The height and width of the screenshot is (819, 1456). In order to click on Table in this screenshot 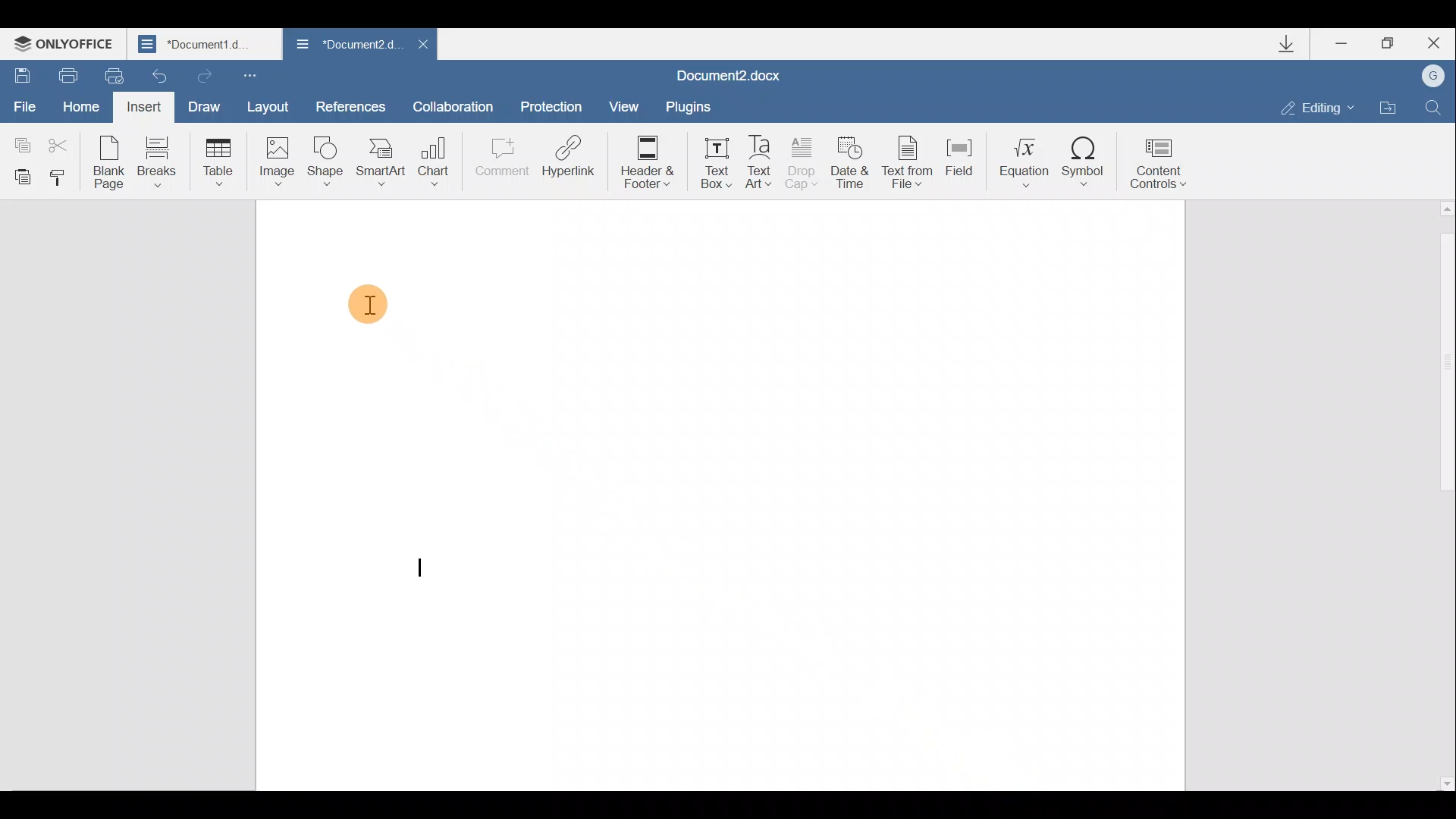, I will do `click(215, 159)`.